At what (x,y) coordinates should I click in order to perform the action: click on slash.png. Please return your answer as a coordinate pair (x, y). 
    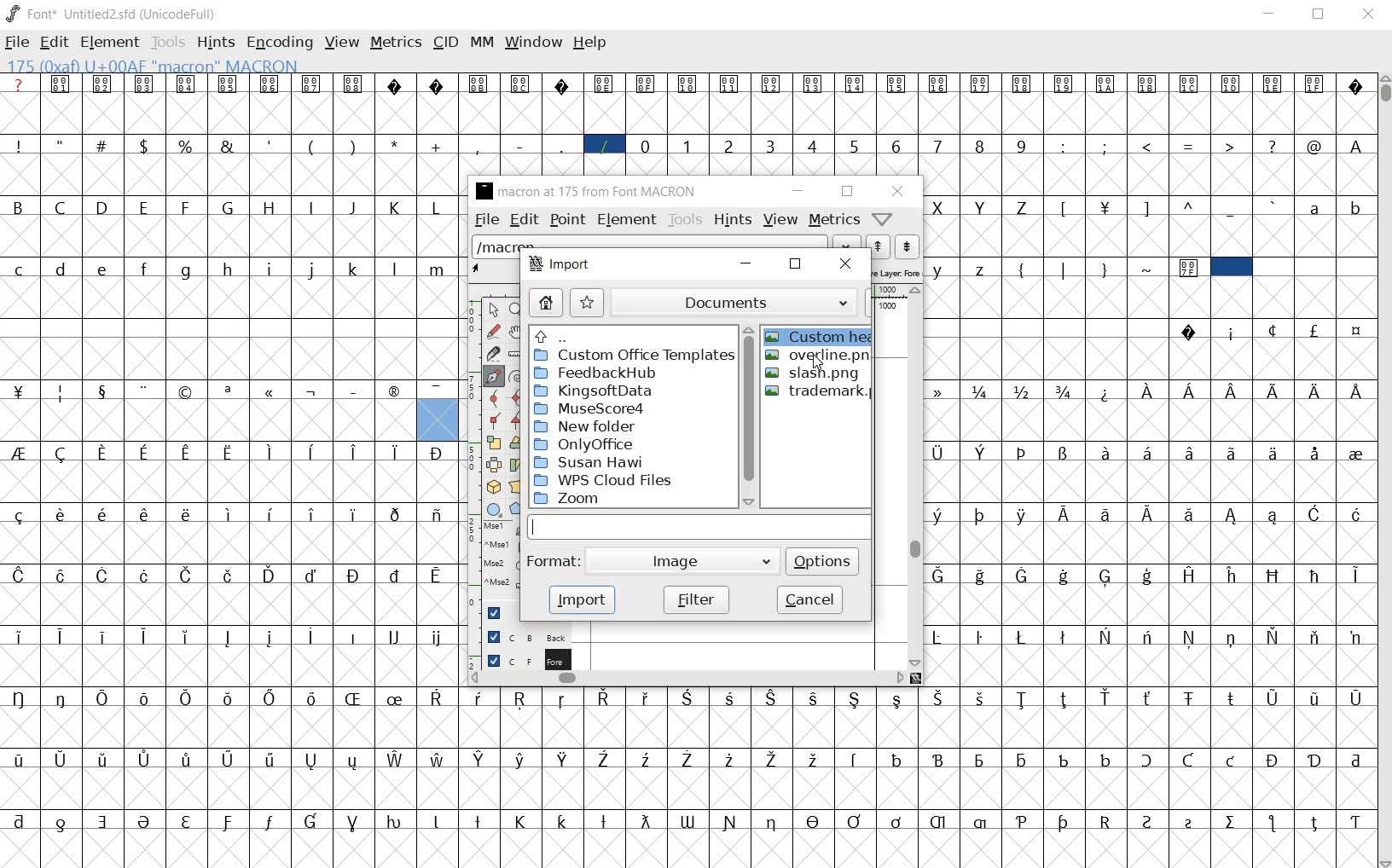
    Looking at the image, I should click on (824, 374).